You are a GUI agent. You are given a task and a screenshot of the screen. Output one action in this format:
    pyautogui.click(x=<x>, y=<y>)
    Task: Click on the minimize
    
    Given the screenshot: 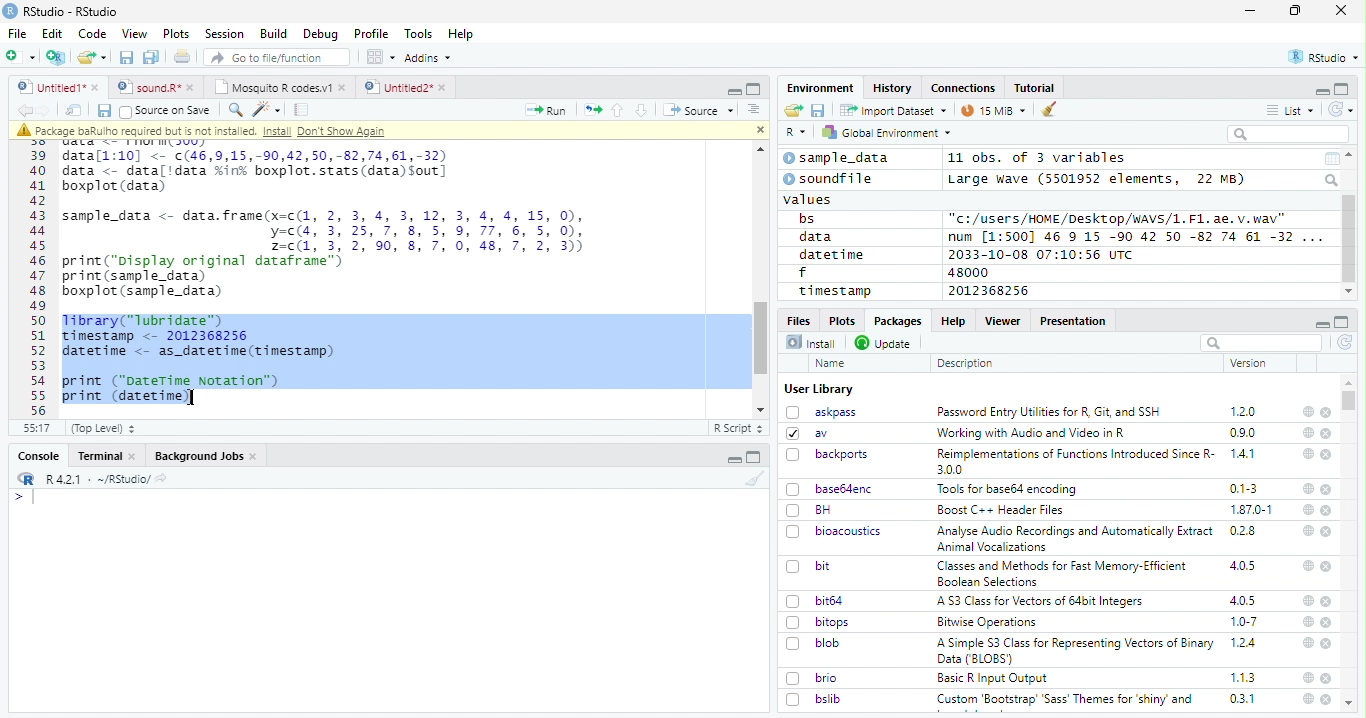 What is the action you would take?
    pyautogui.click(x=736, y=457)
    